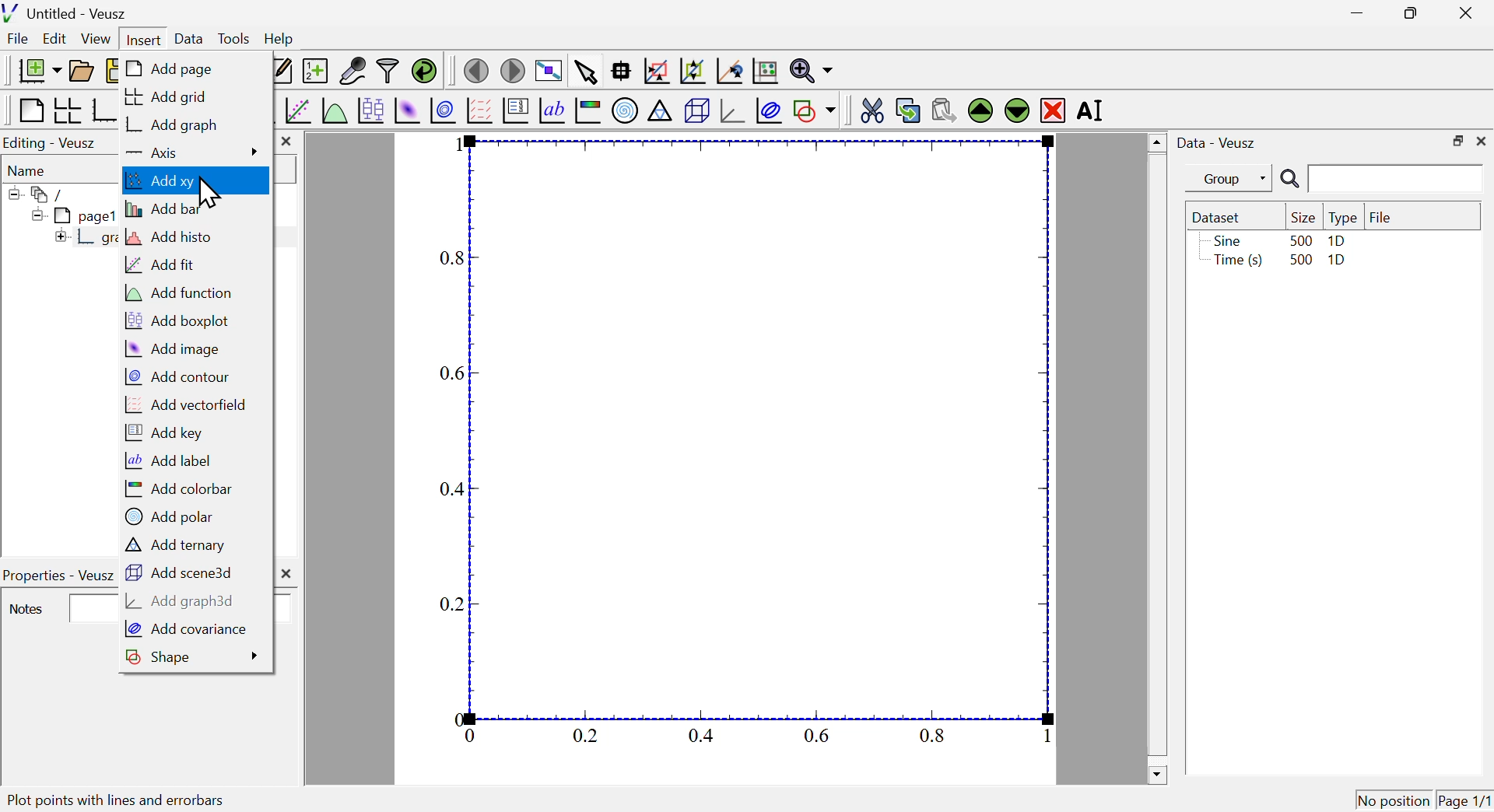 The height and width of the screenshot is (812, 1494). What do you see at coordinates (701, 735) in the screenshot?
I see `0.4` at bounding box center [701, 735].